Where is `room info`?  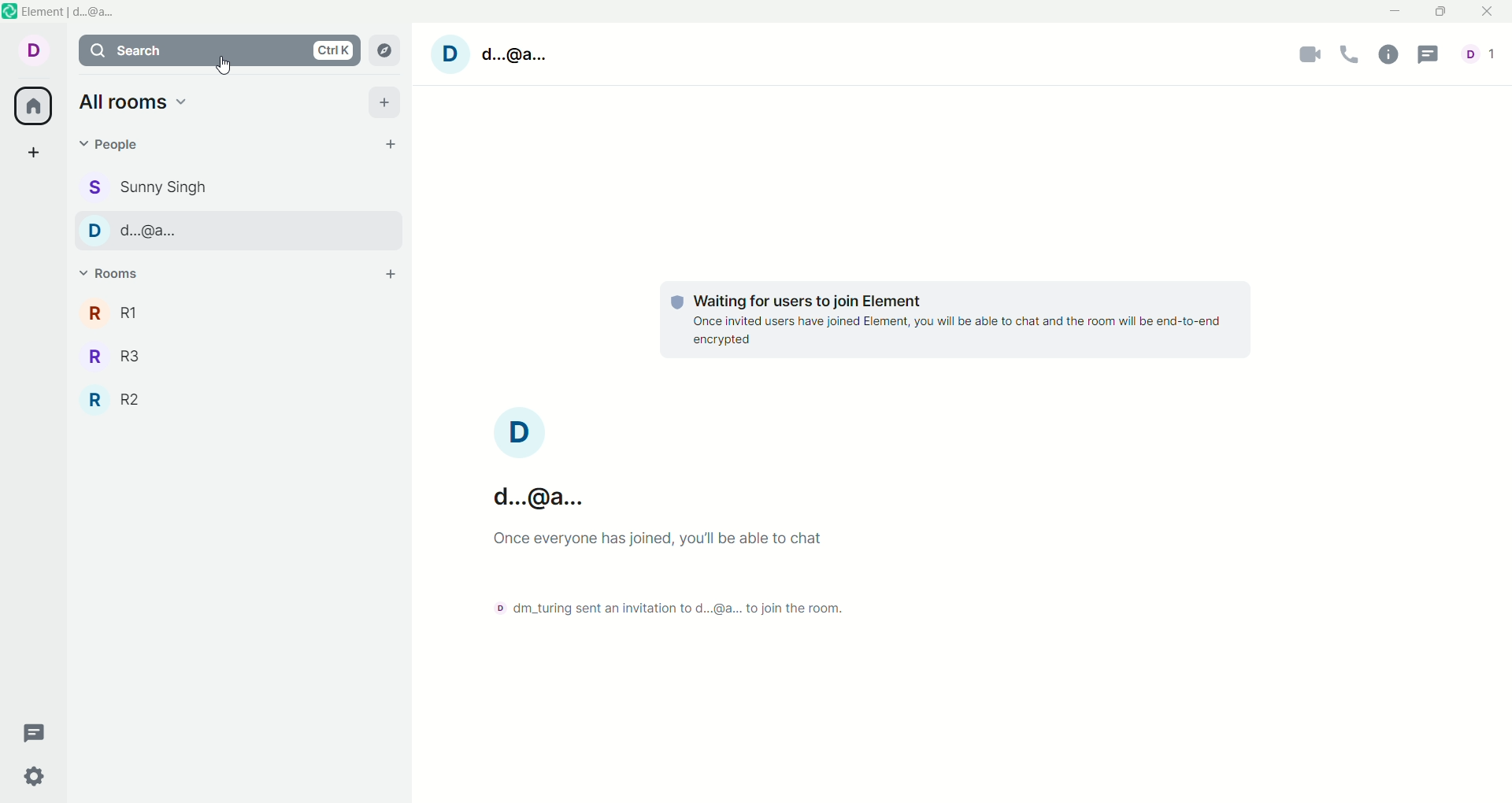 room info is located at coordinates (1388, 56).